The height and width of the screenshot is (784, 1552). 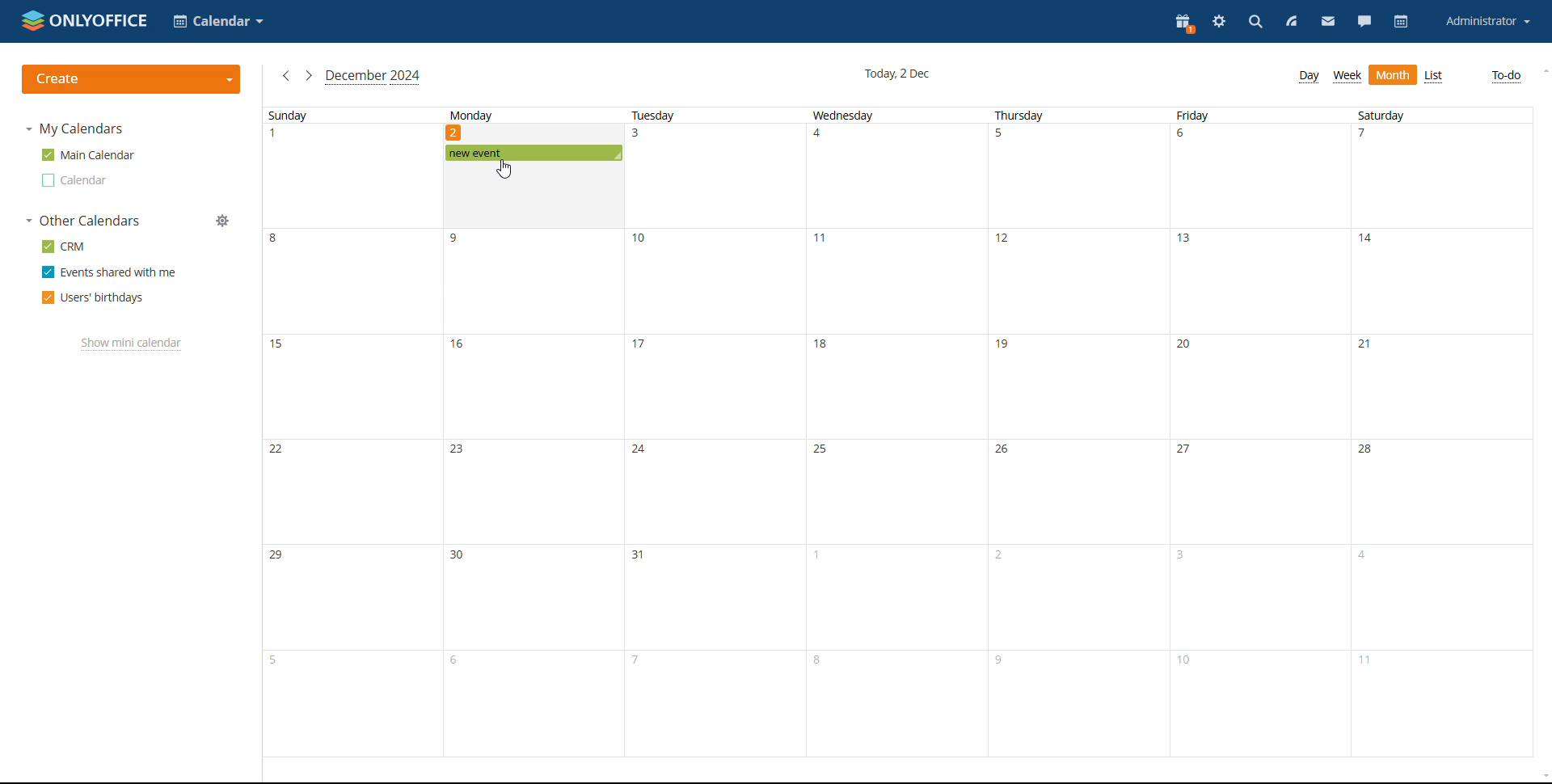 What do you see at coordinates (1080, 431) in the screenshot?
I see `thursday` at bounding box center [1080, 431].